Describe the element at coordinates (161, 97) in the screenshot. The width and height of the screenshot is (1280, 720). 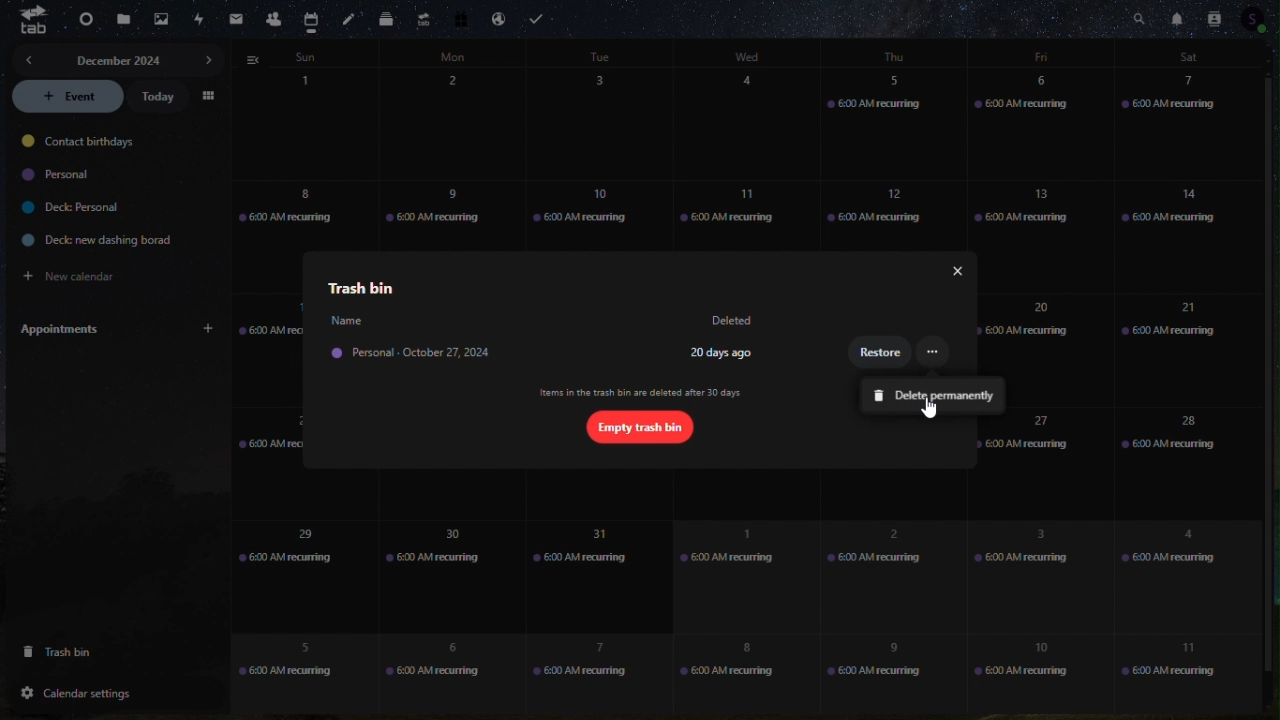
I see `today` at that location.